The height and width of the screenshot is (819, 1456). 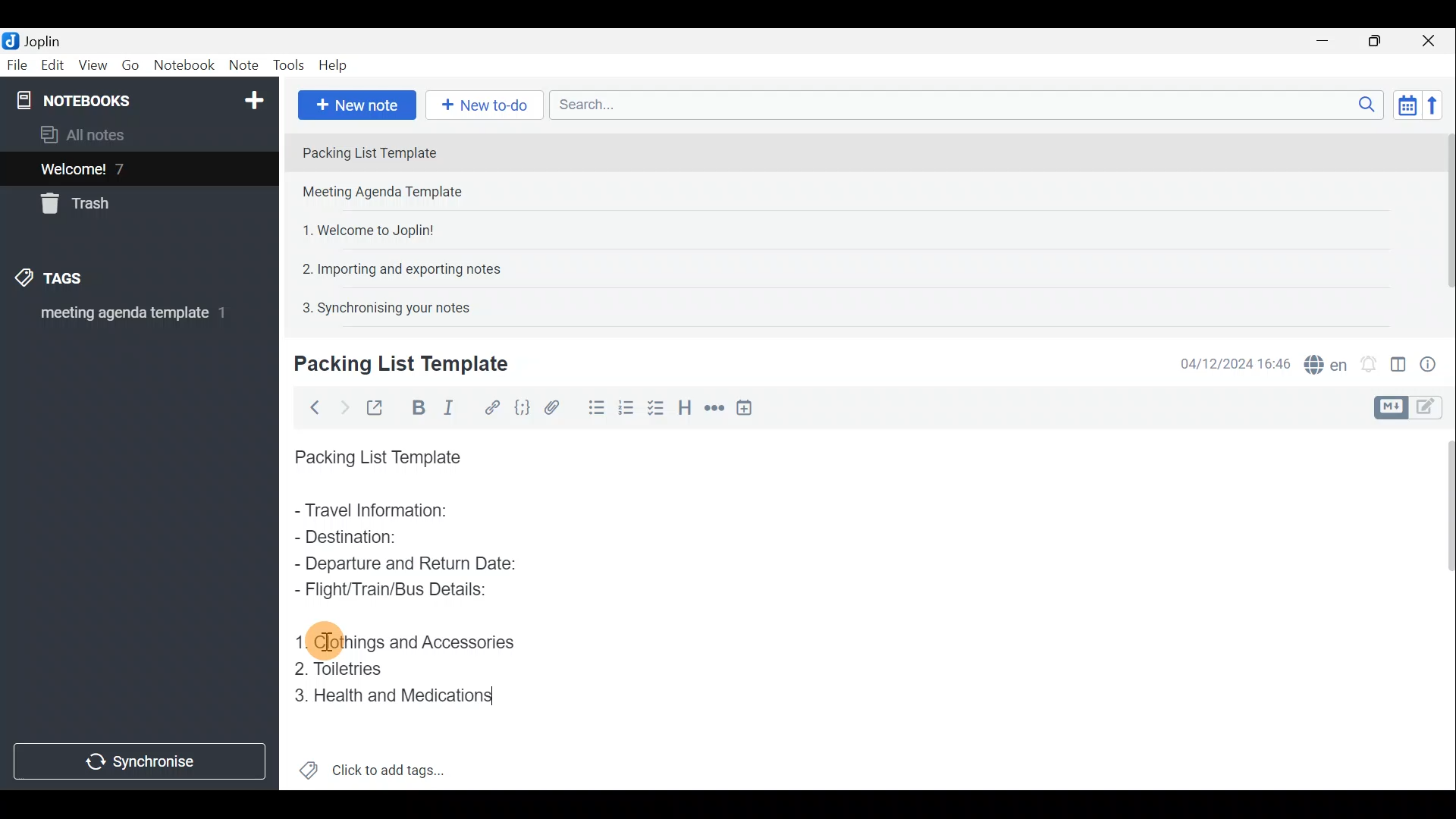 What do you see at coordinates (626, 405) in the screenshot?
I see `Checkbox` at bounding box center [626, 405].